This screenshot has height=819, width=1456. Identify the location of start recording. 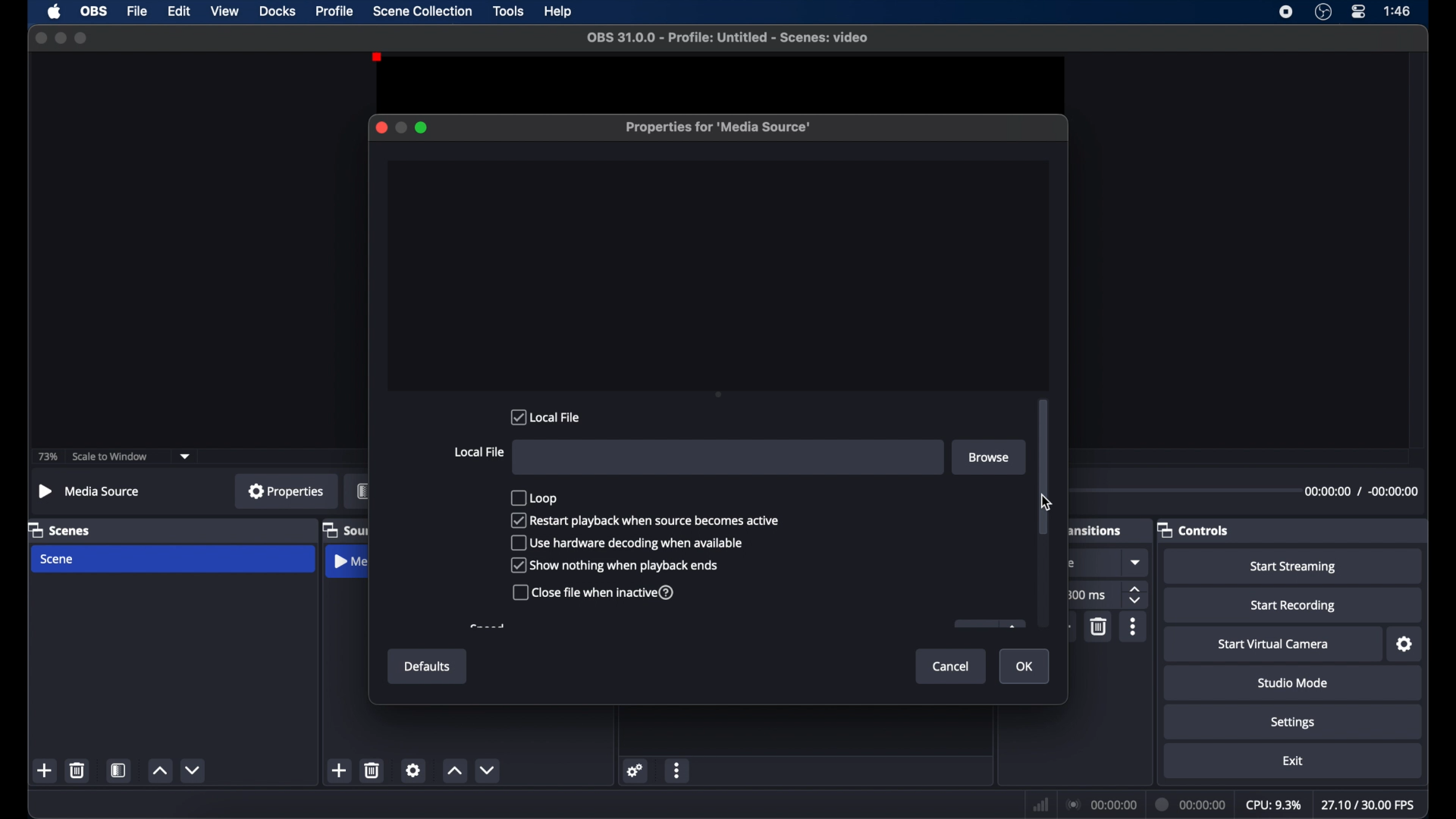
(1295, 606).